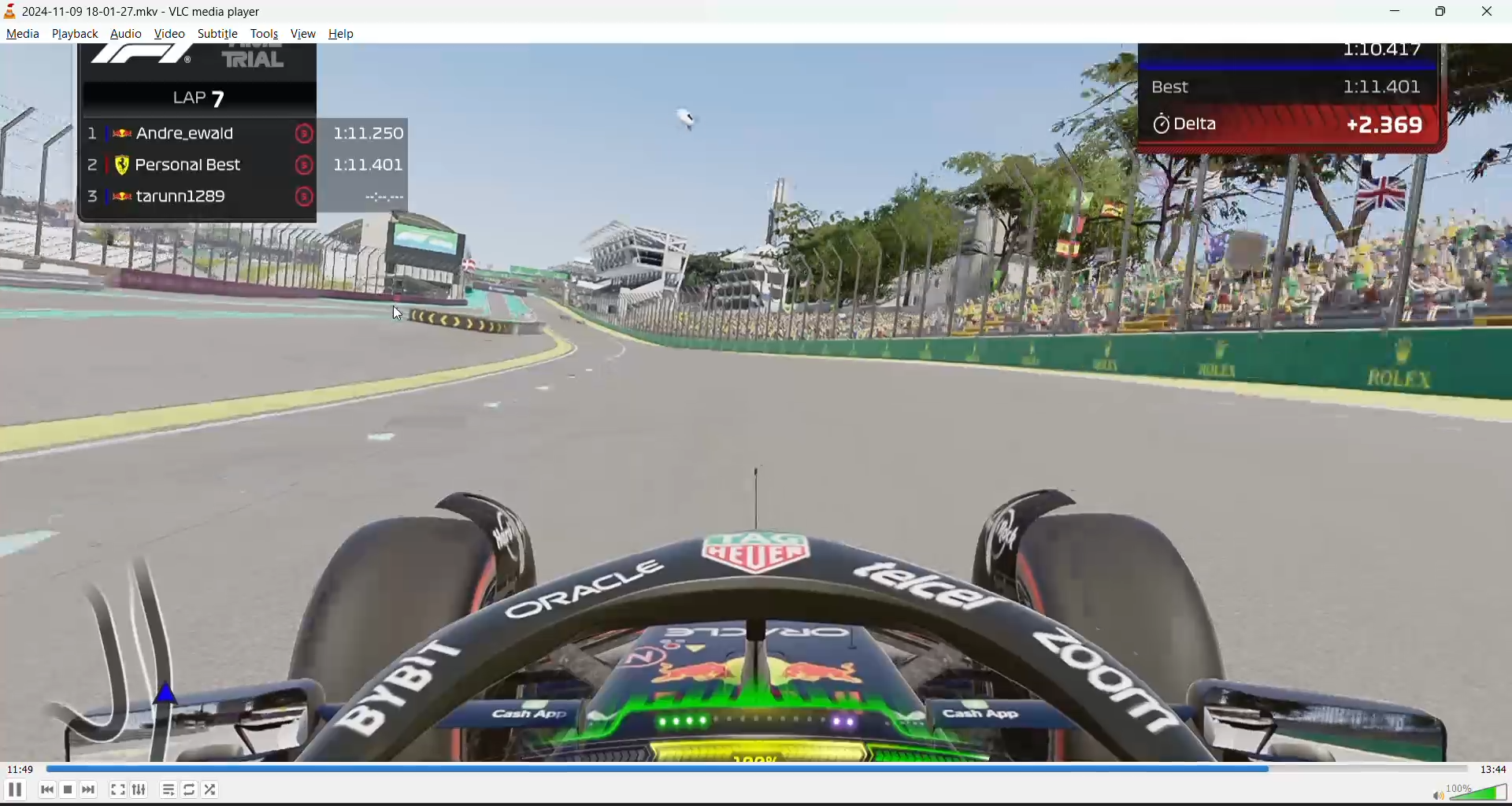 The height and width of the screenshot is (806, 1512). Describe the element at coordinates (119, 786) in the screenshot. I see `fullscreen` at that location.